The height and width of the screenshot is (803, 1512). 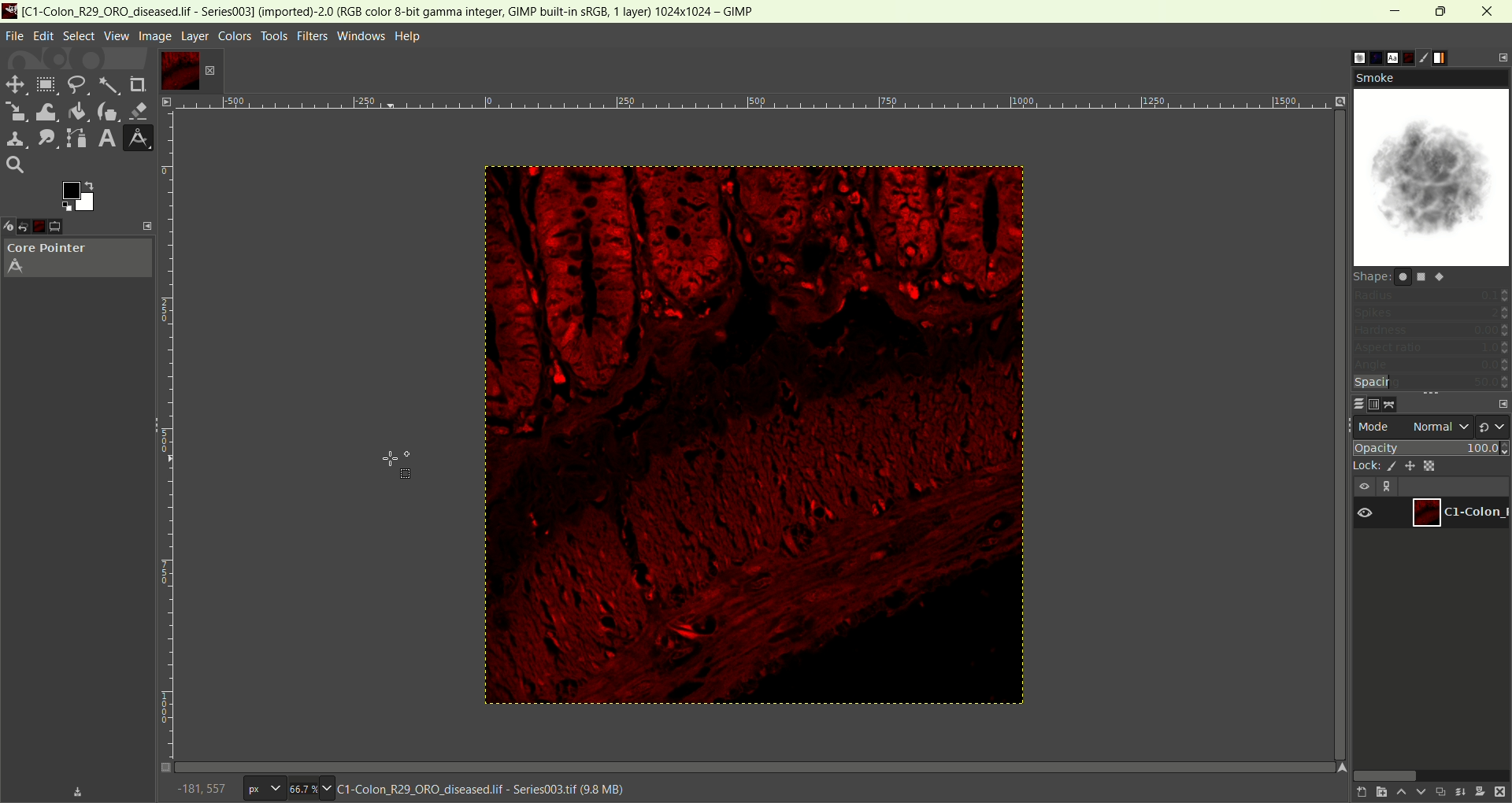 I want to click on raise this layer one step, so click(x=1400, y=793).